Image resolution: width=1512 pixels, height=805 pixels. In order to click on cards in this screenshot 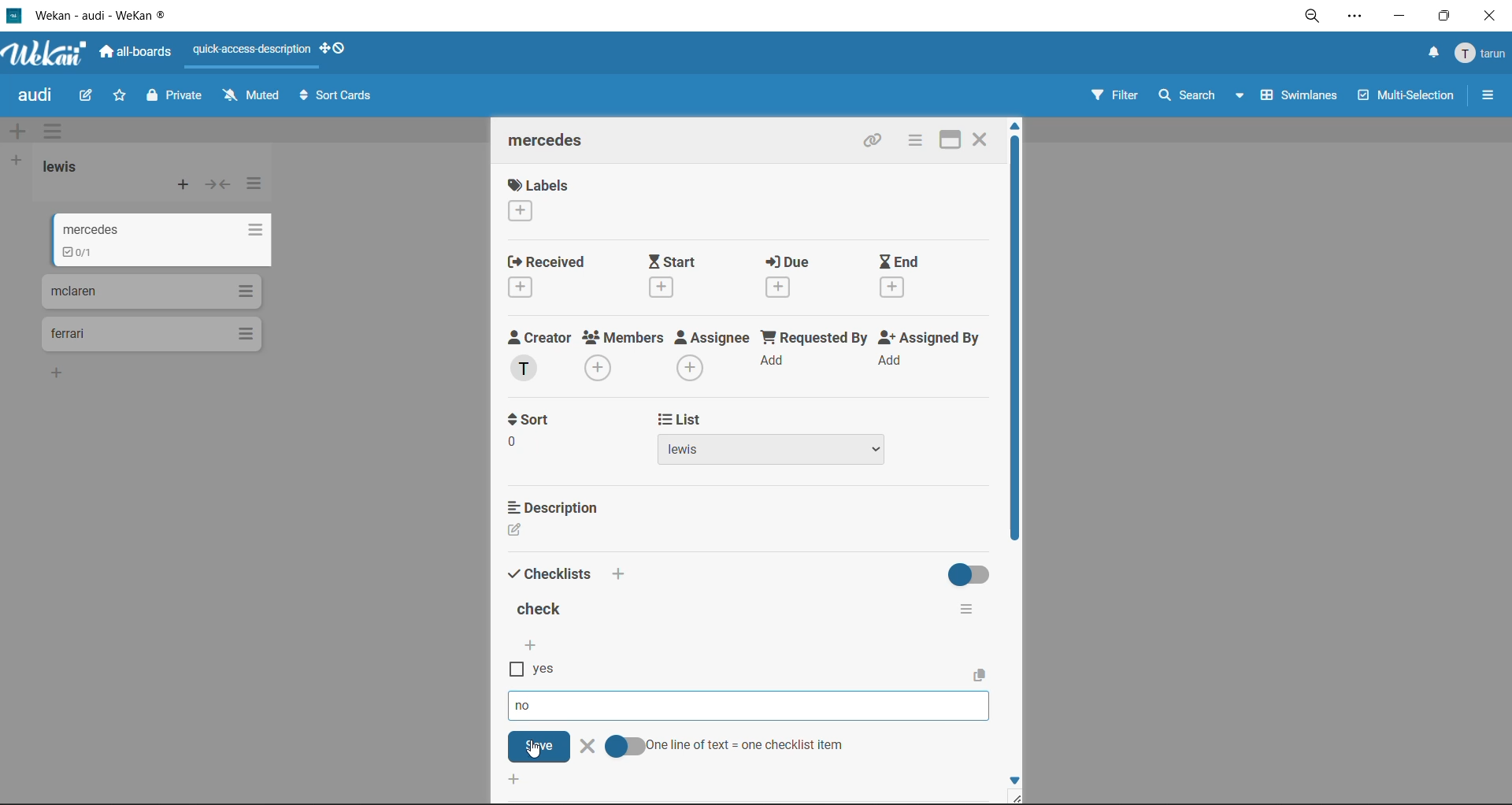, I will do `click(164, 256)`.